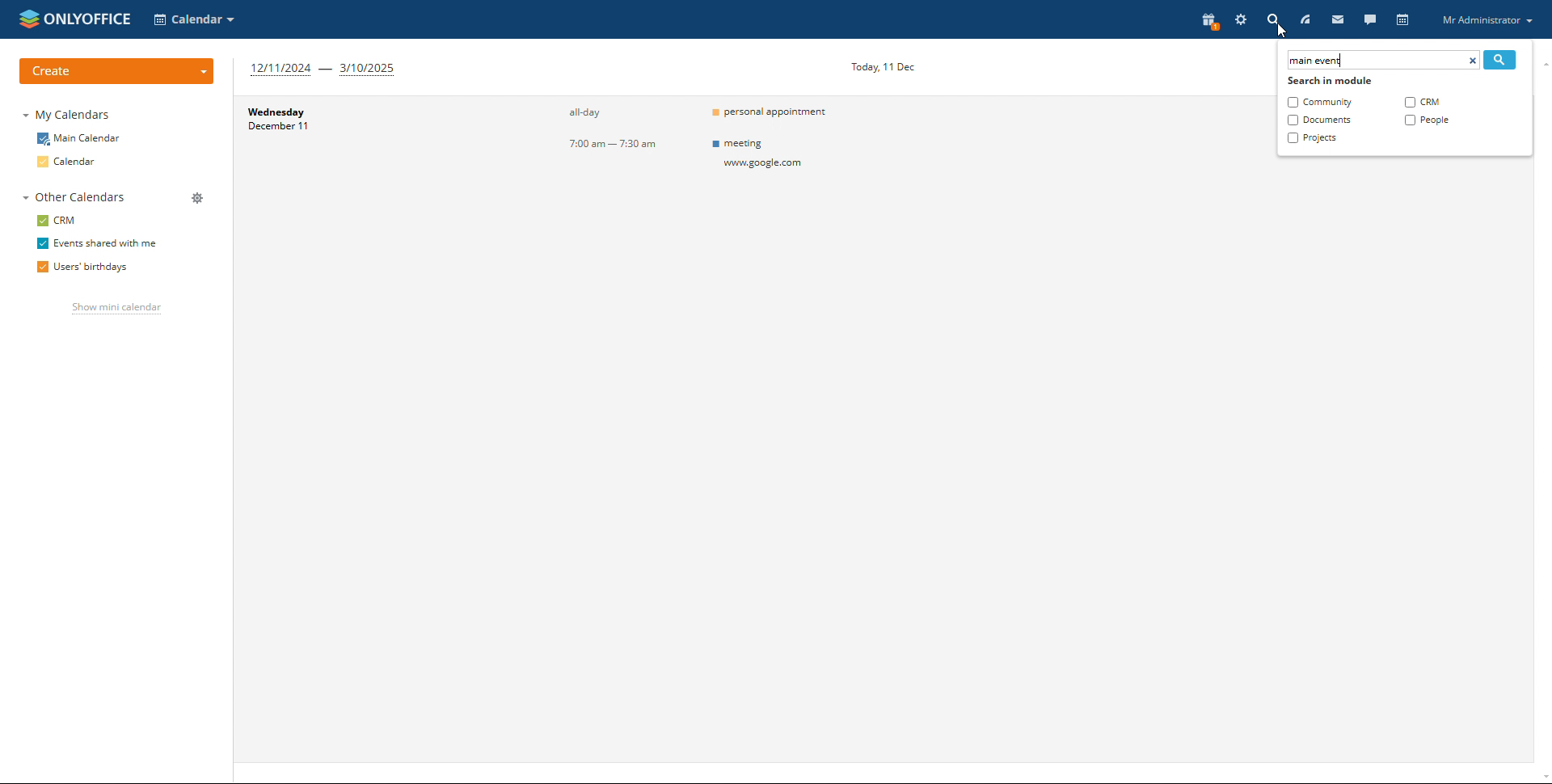  Describe the element at coordinates (1317, 61) in the screenshot. I see `search string typed` at that location.